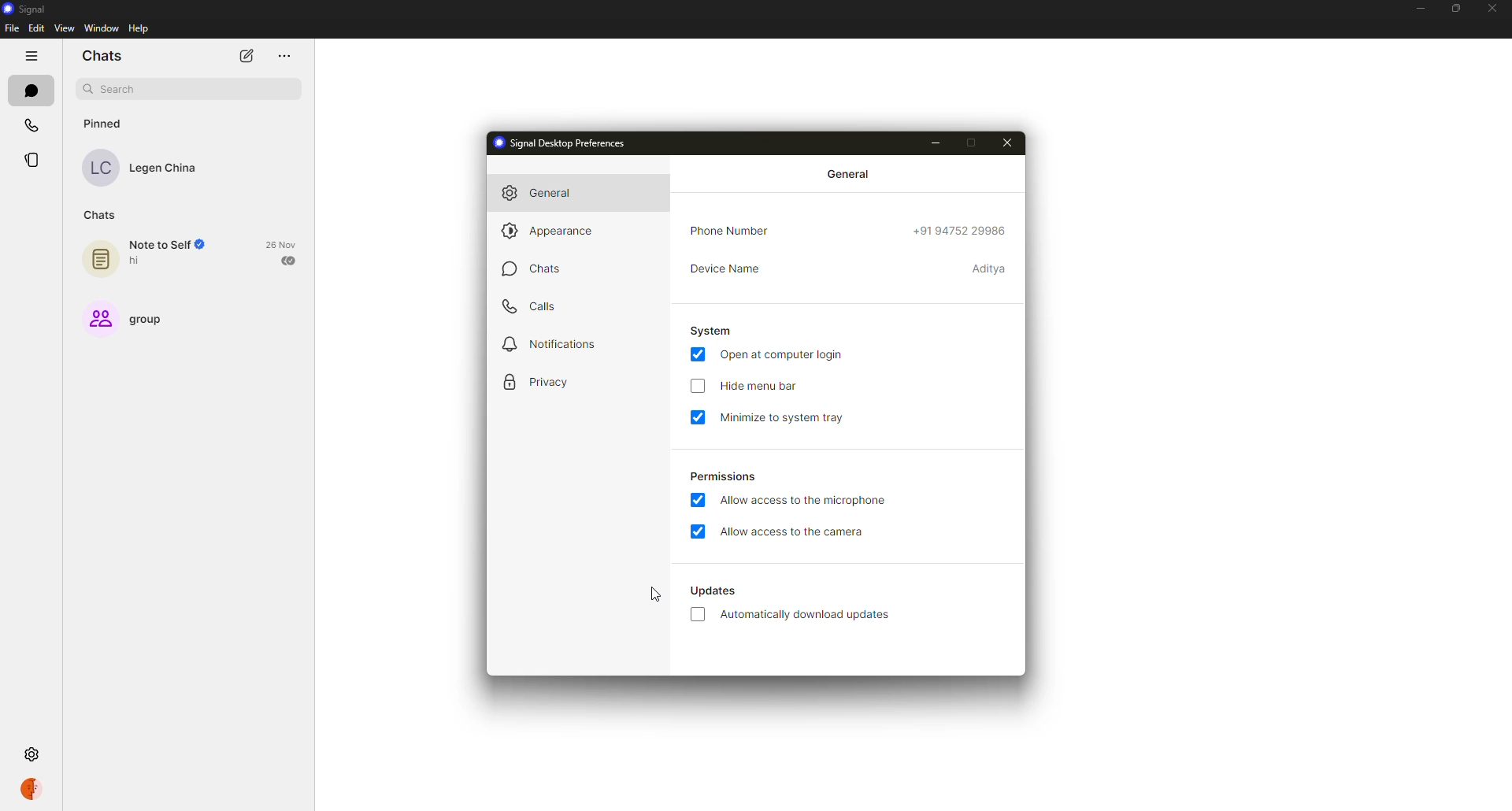 This screenshot has height=811, width=1512. I want to click on group, so click(125, 319).